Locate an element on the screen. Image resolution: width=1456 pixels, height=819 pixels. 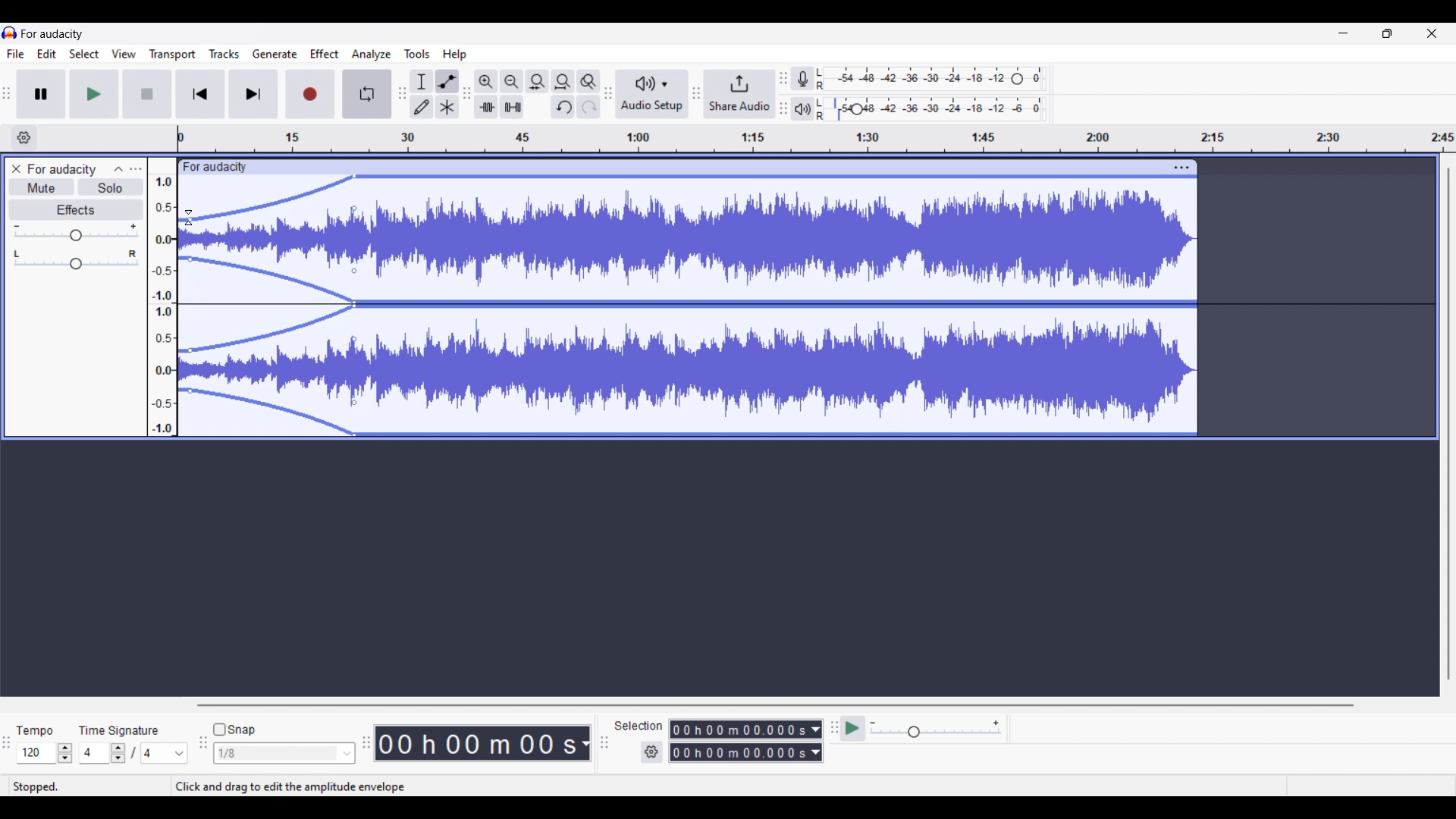
Close interface is located at coordinates (1432, 33).